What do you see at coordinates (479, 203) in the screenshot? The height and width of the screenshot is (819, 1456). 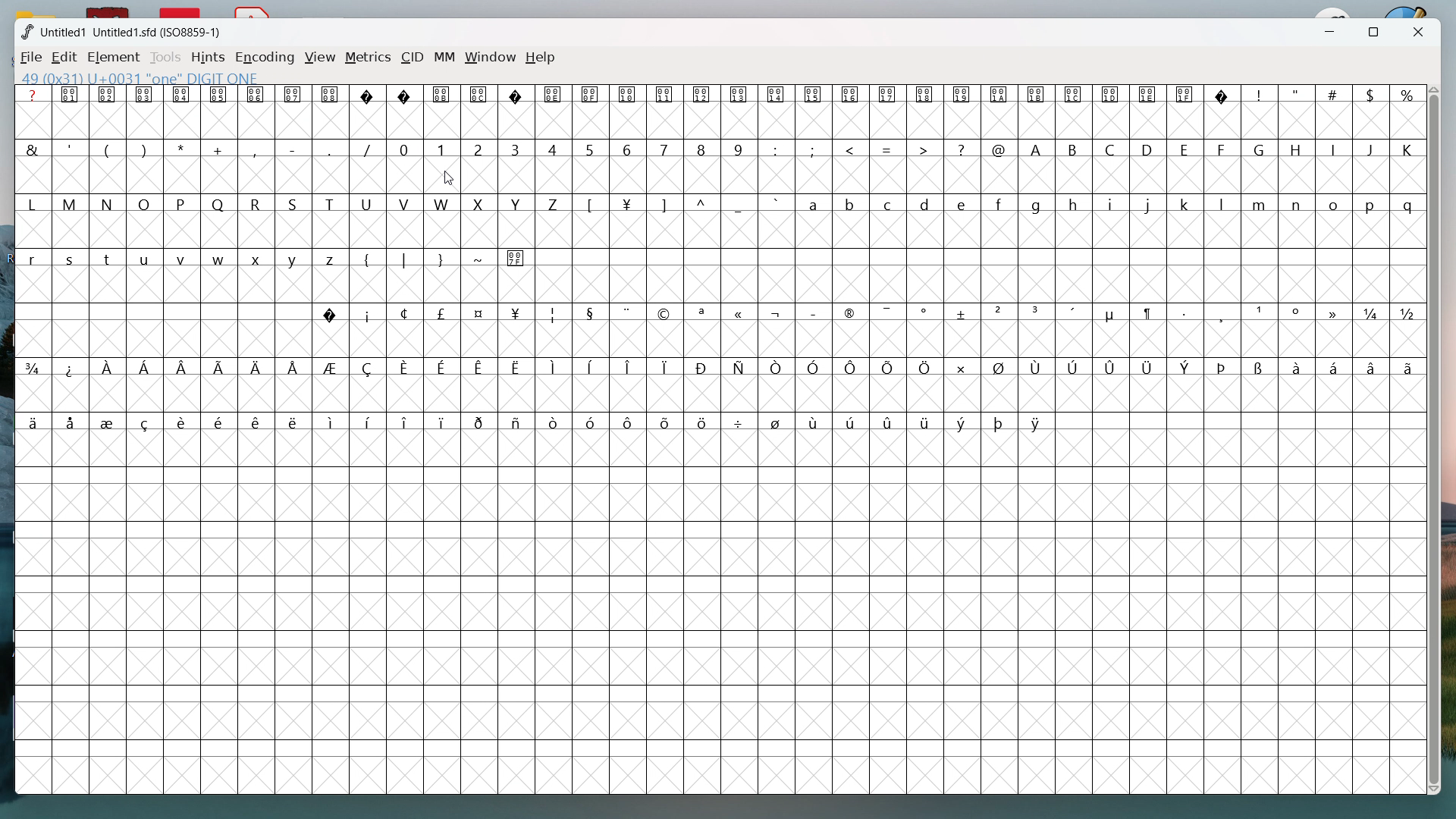 I see `X` at bounding box center [479, 203].